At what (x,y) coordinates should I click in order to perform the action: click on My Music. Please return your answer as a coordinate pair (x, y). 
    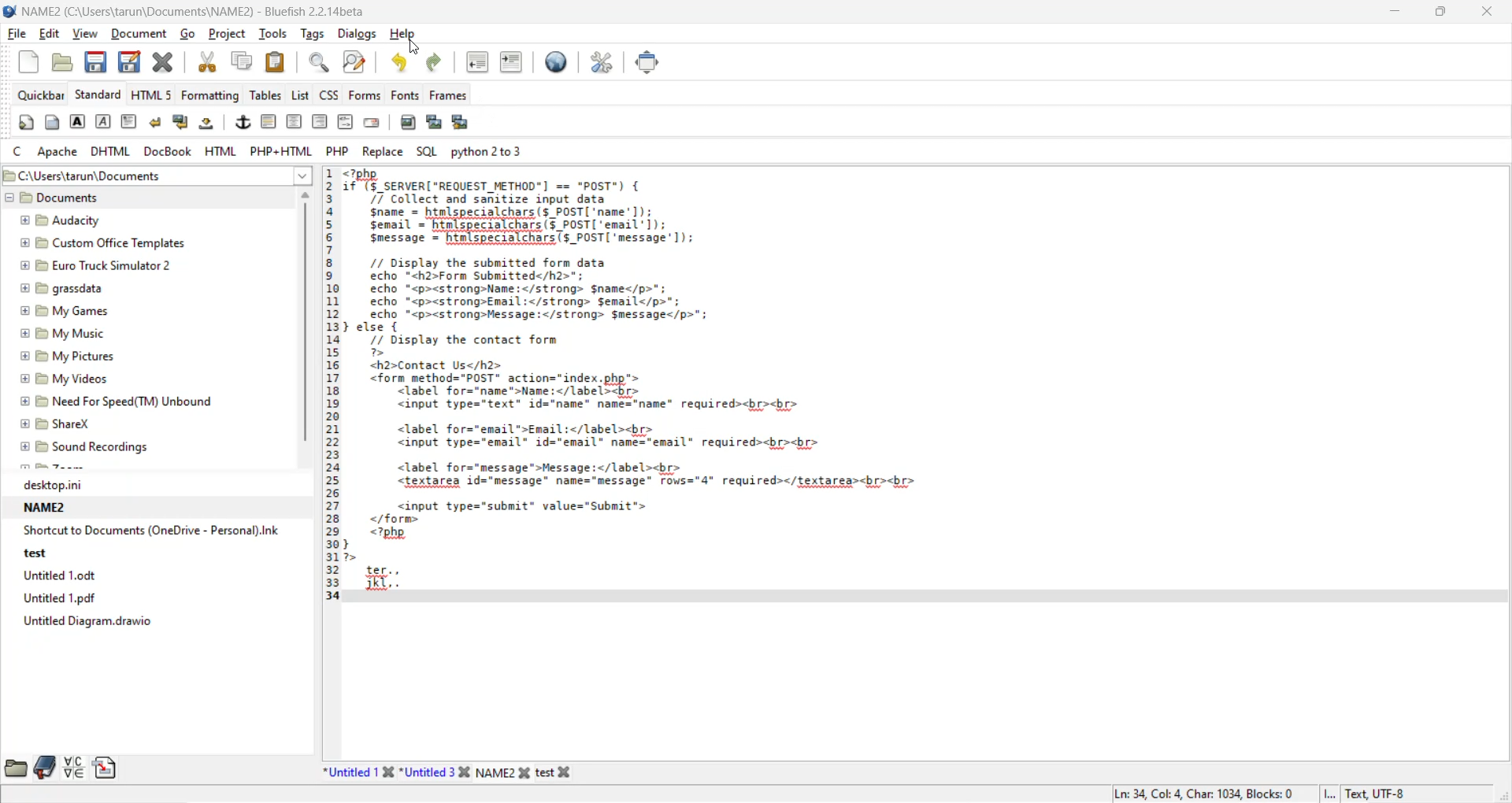
    Looking at the image, I should click on (54, 334).